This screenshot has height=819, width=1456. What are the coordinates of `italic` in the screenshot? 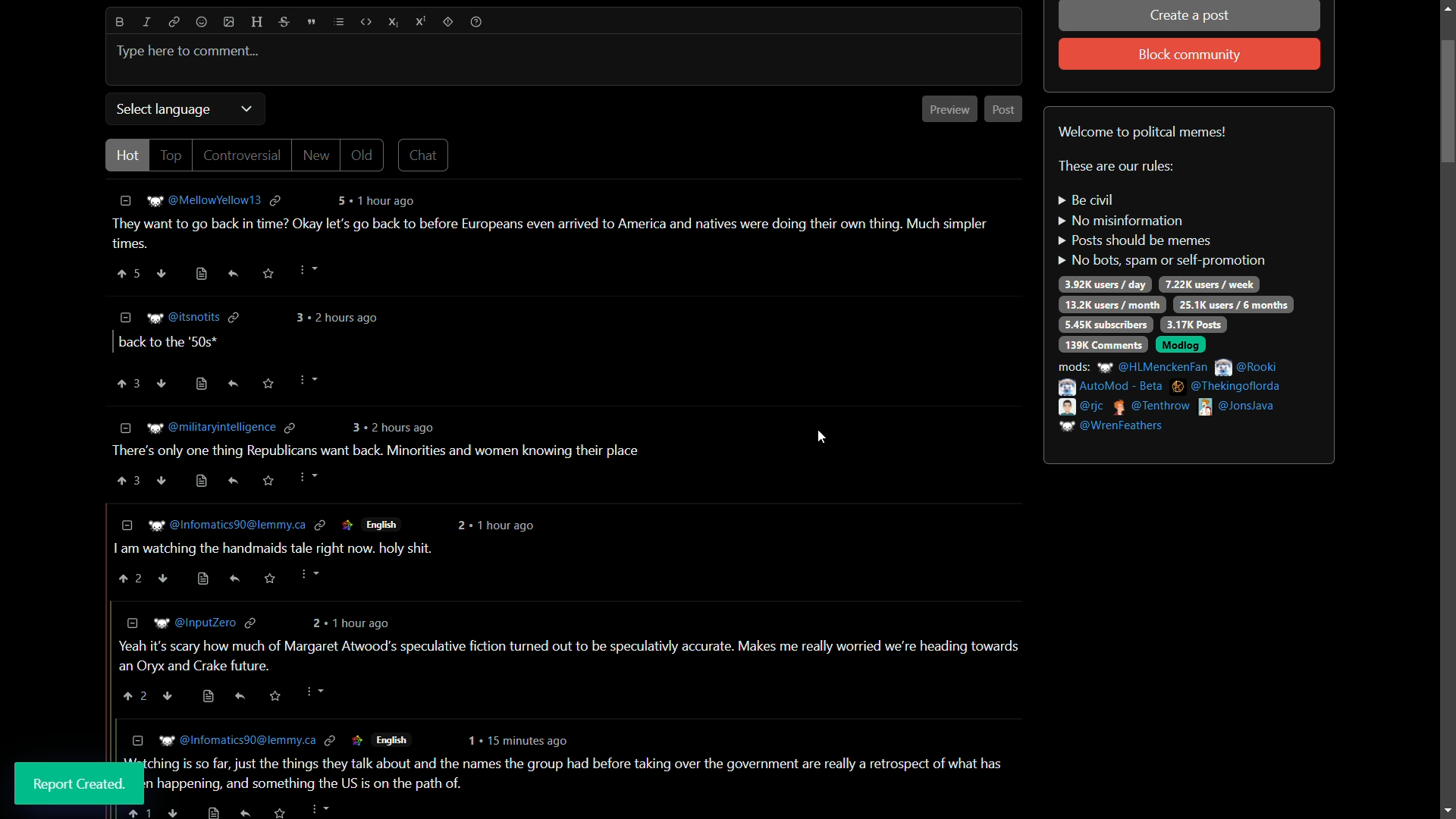 It's located at (148, 22).